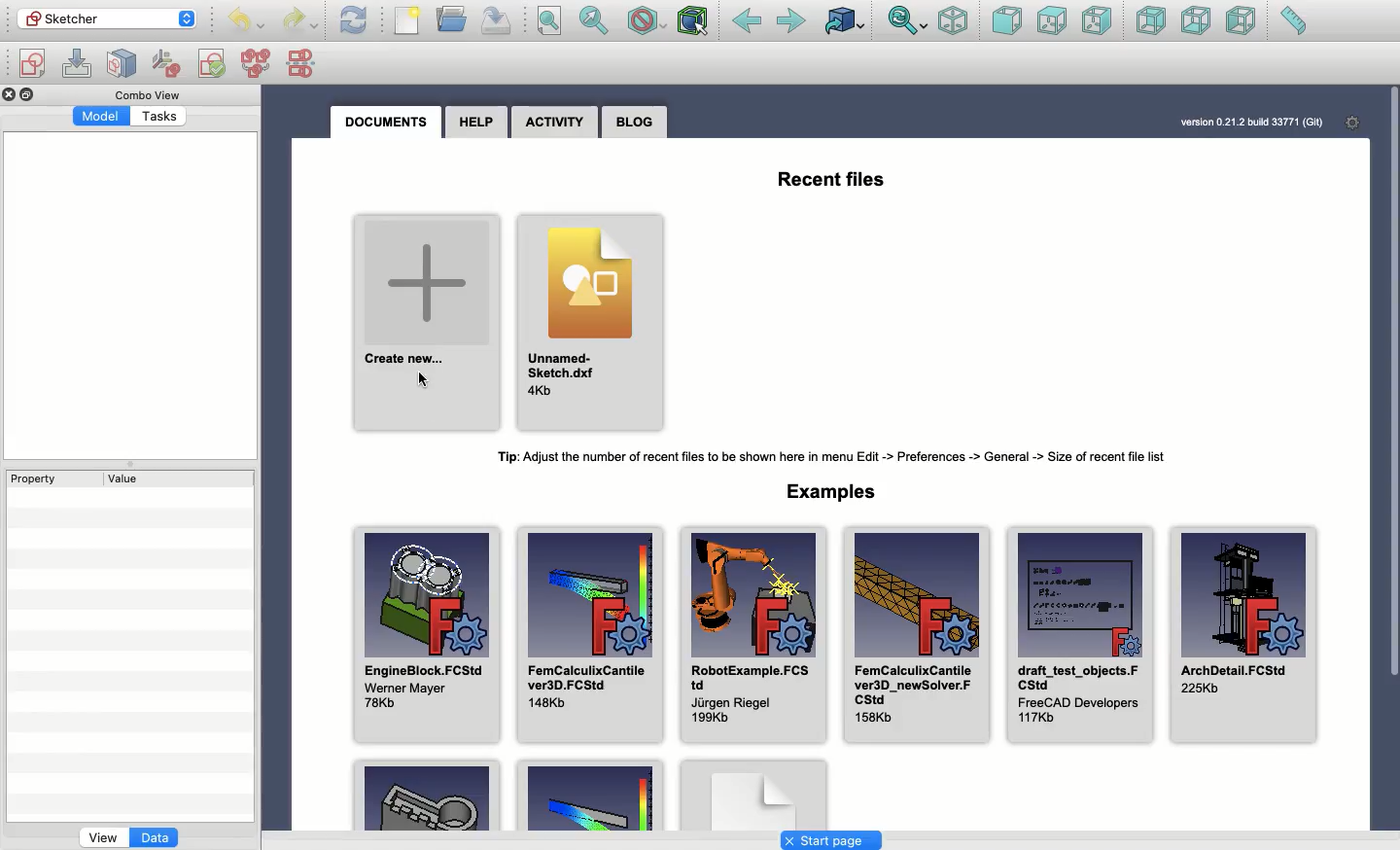 The width and height of the screenshot is (1400, 850). Describe the element at coordinates (594, 20) in the screenshot. I see `Fit selection` at that location.